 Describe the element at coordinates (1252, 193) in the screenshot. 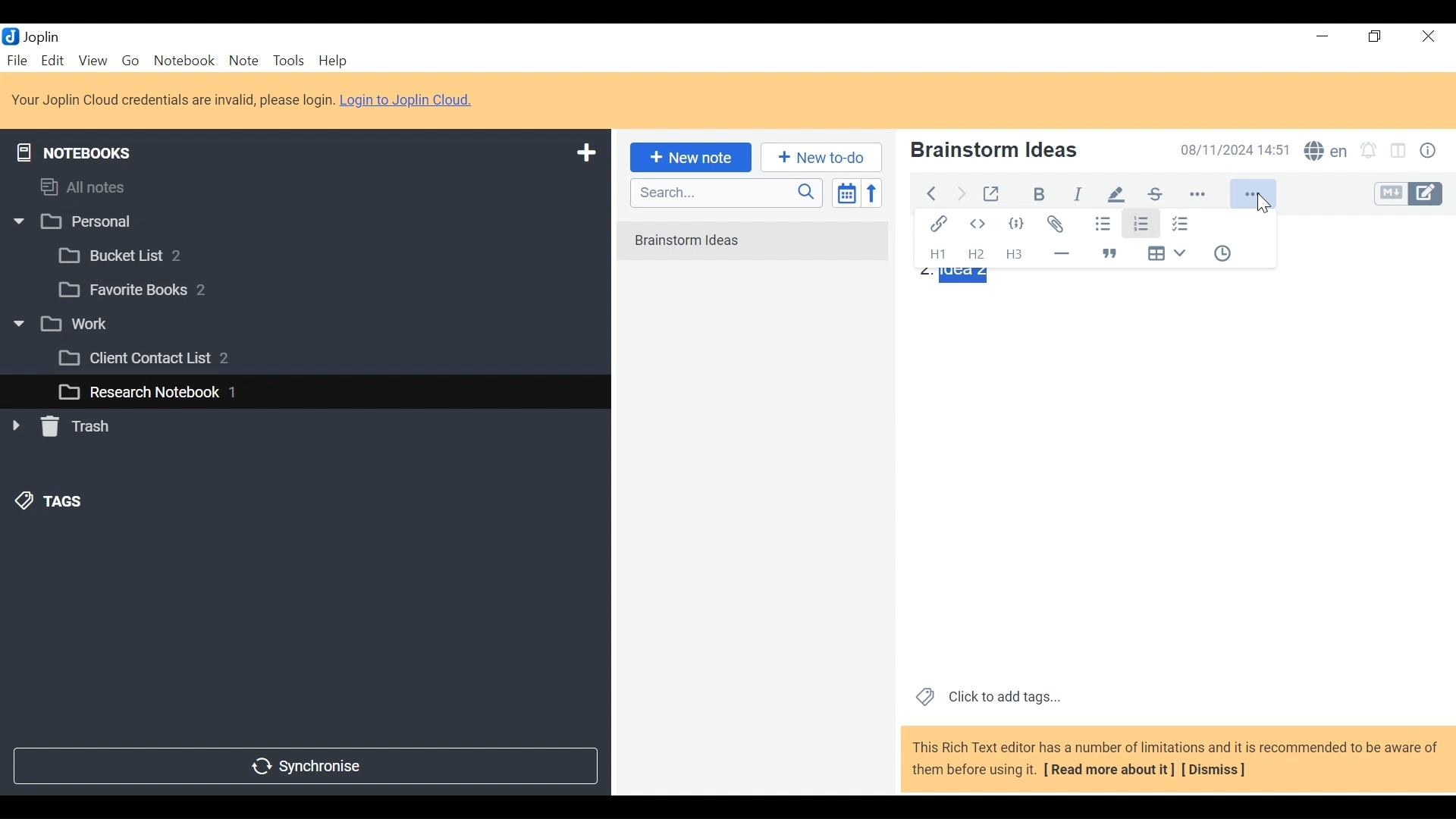

I see `More Options` at that location.